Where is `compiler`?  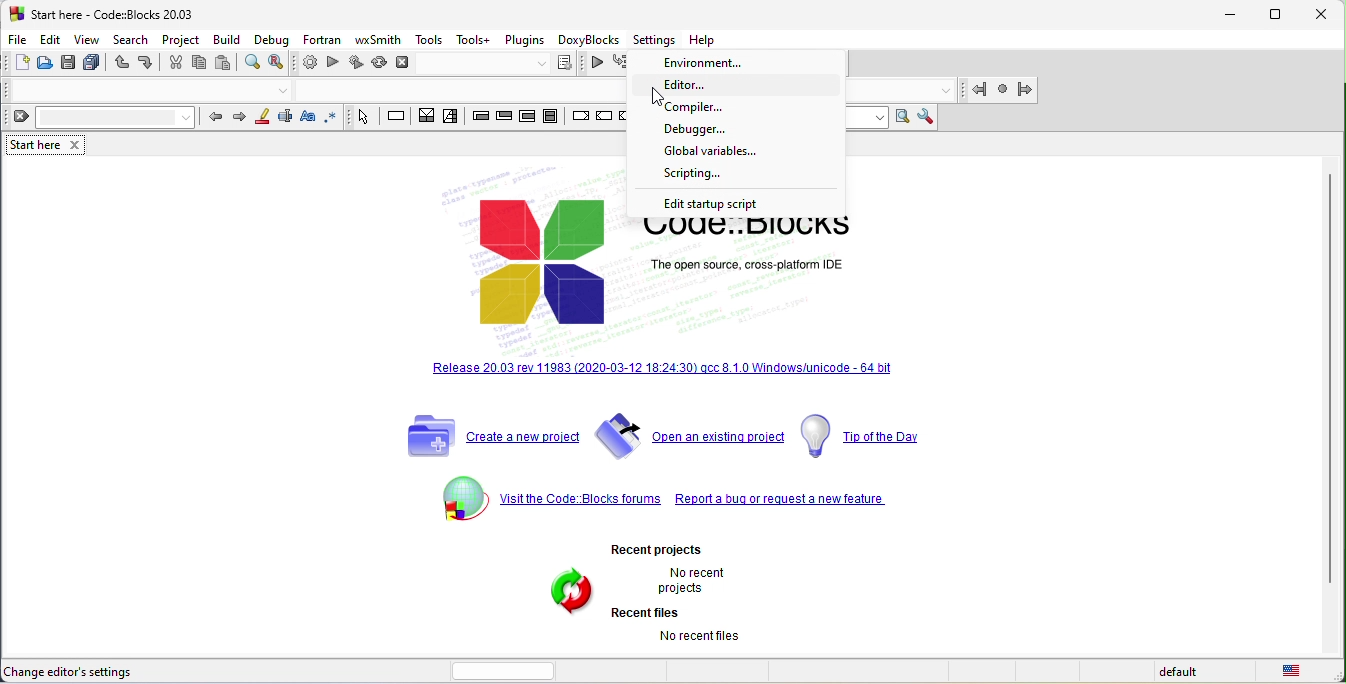
compiler is located at coordinates (727, 110).